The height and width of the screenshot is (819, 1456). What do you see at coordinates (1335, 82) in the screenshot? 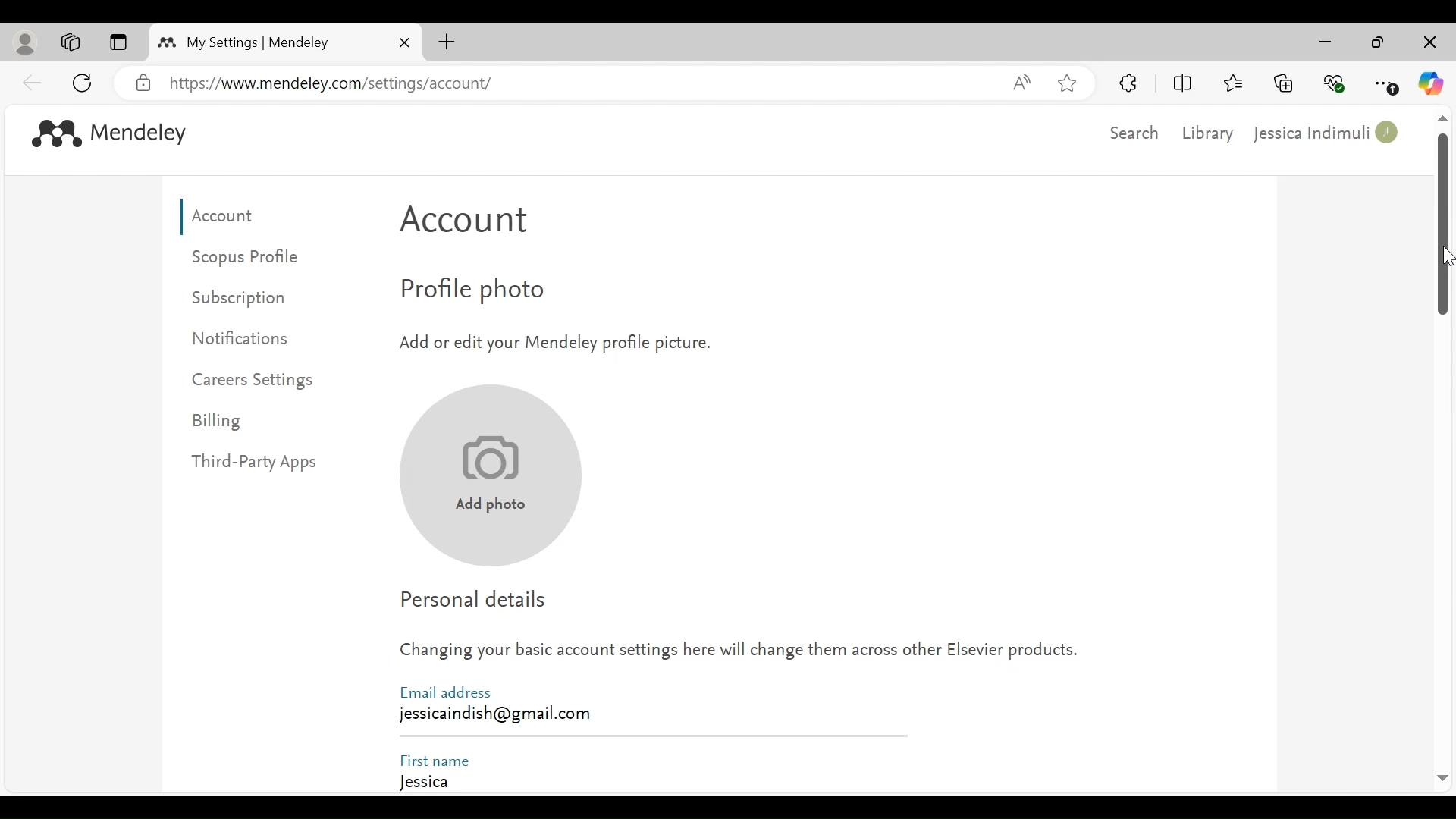
I see `Browser Essentials` at bounding box center [1335, 82].